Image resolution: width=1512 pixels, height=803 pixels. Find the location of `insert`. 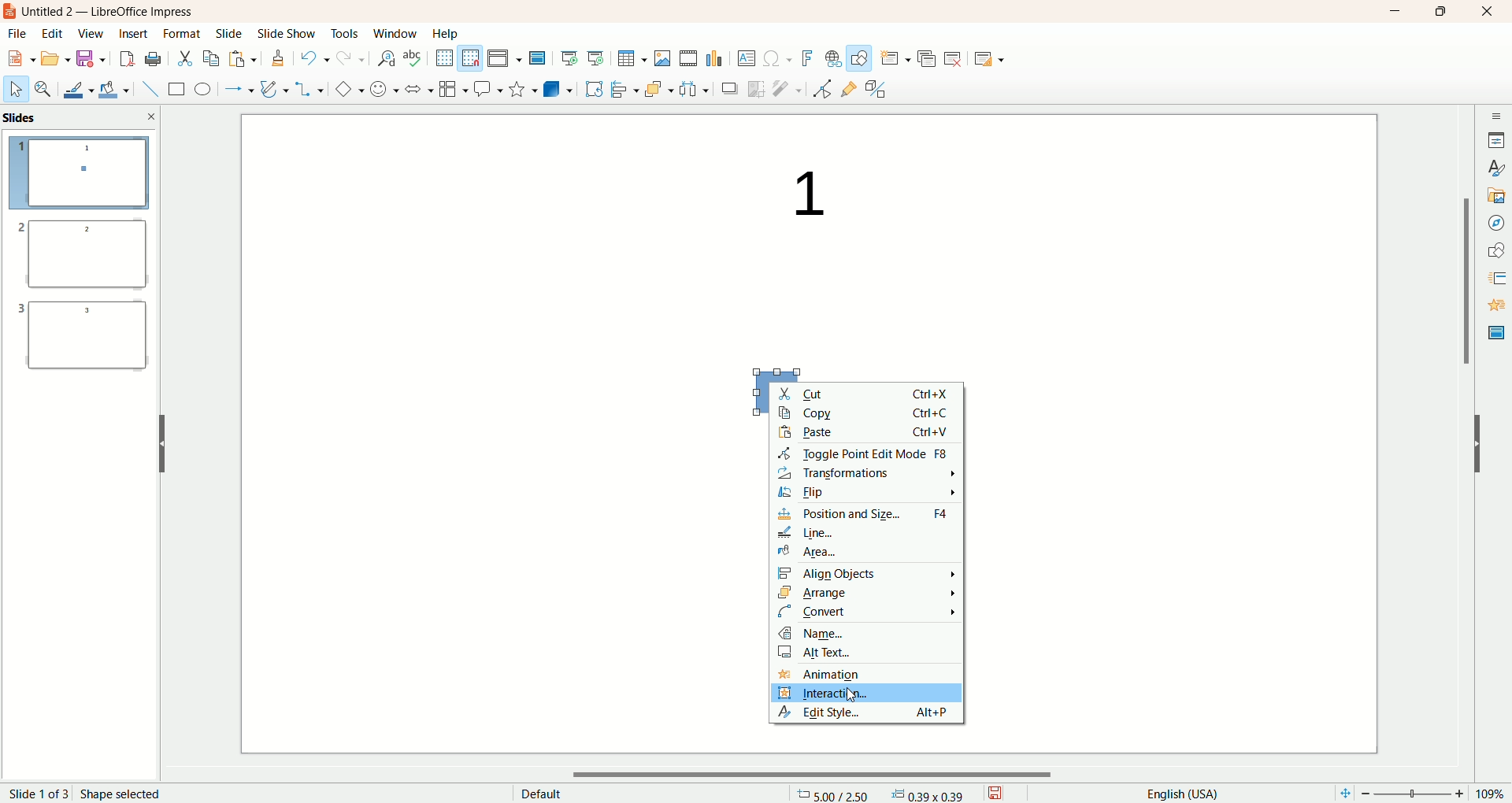

insert is located at coordinates (132, 34).